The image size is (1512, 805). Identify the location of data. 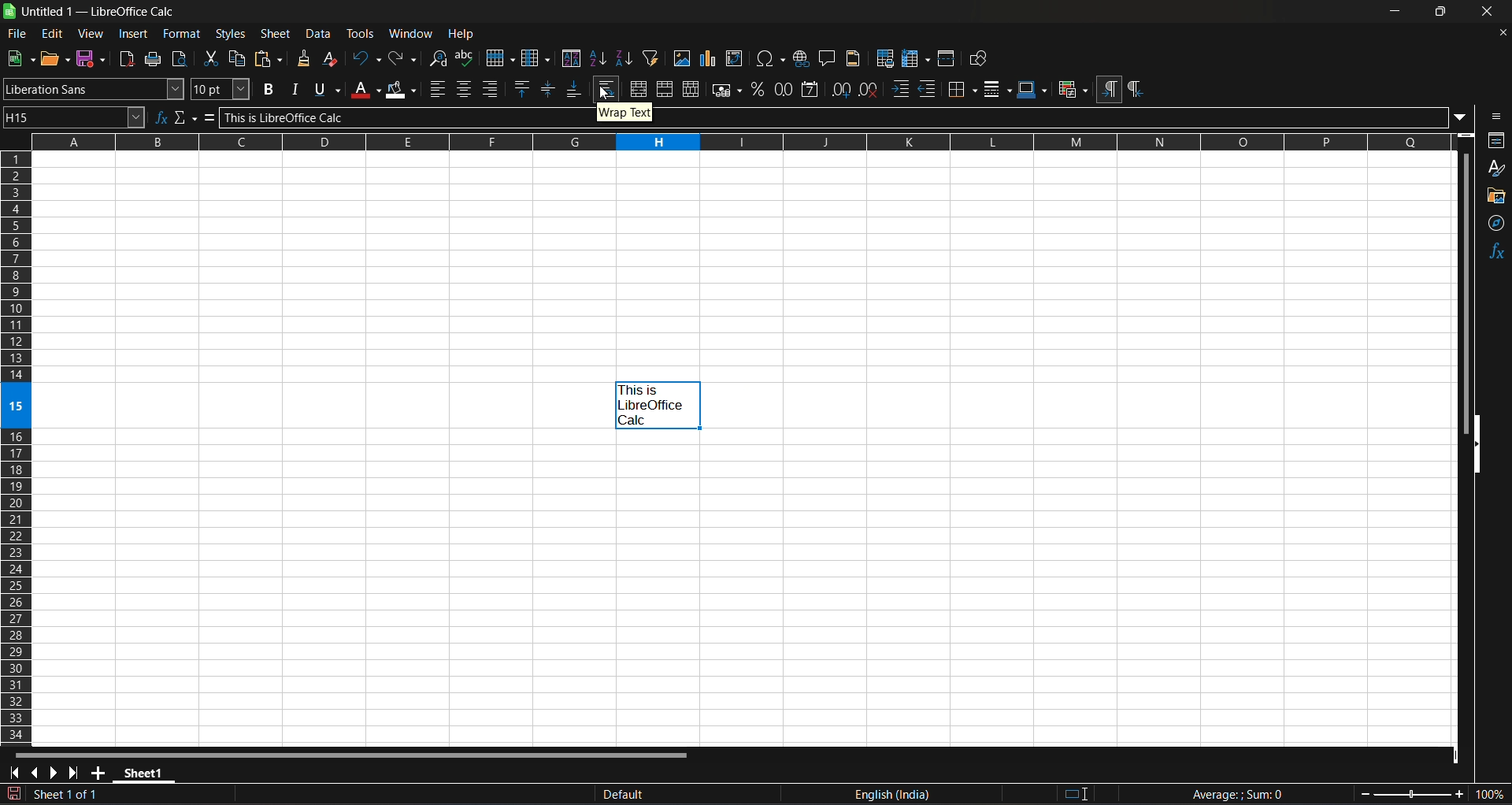
(319, 32).